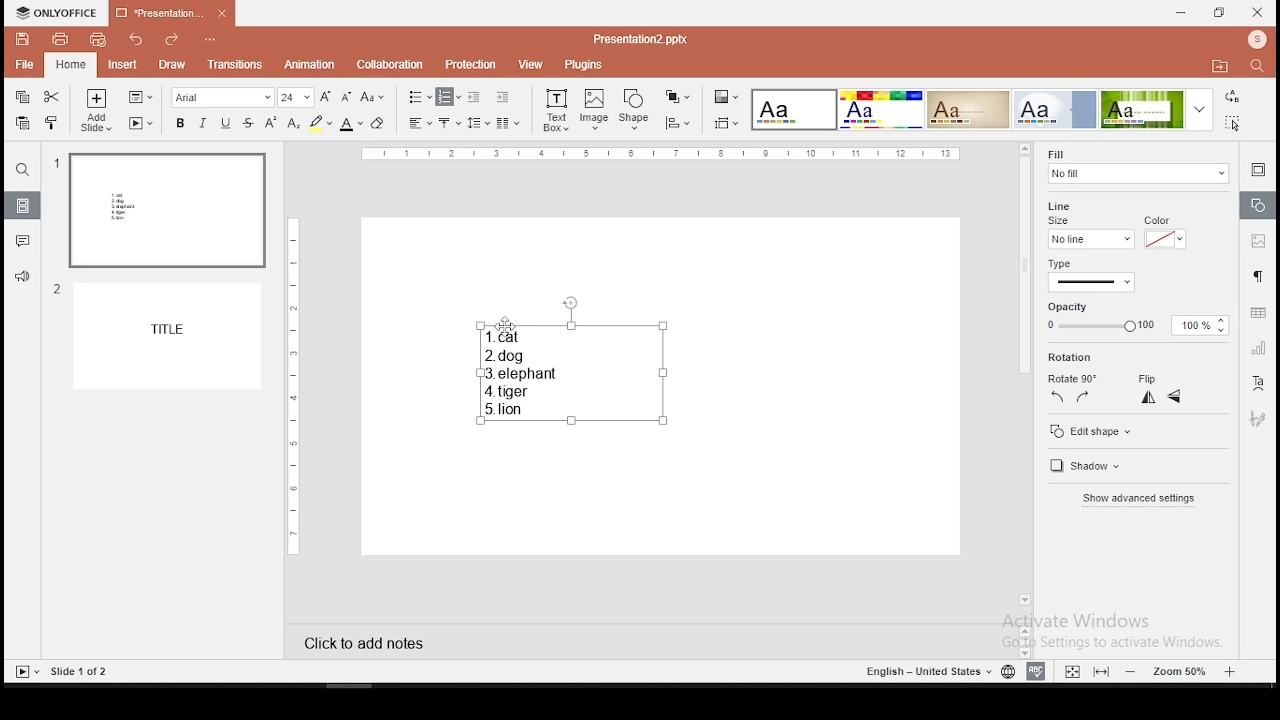 The width and height of the screenshot is (1280, 720). I want to click on restore, so click(1220, 13).